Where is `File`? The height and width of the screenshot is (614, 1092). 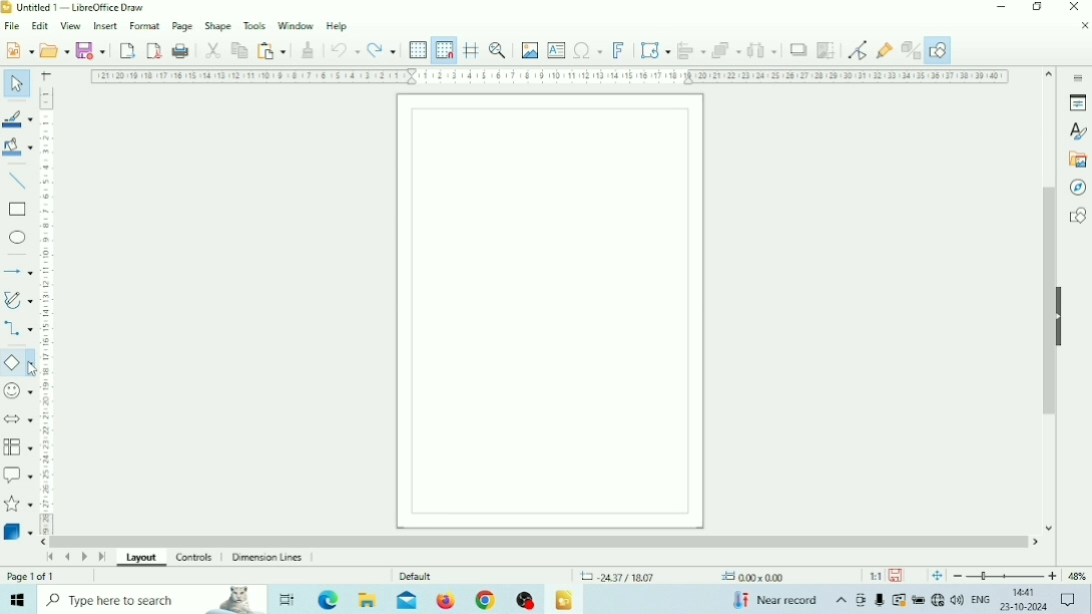 File is located at coordinates (13, 26).